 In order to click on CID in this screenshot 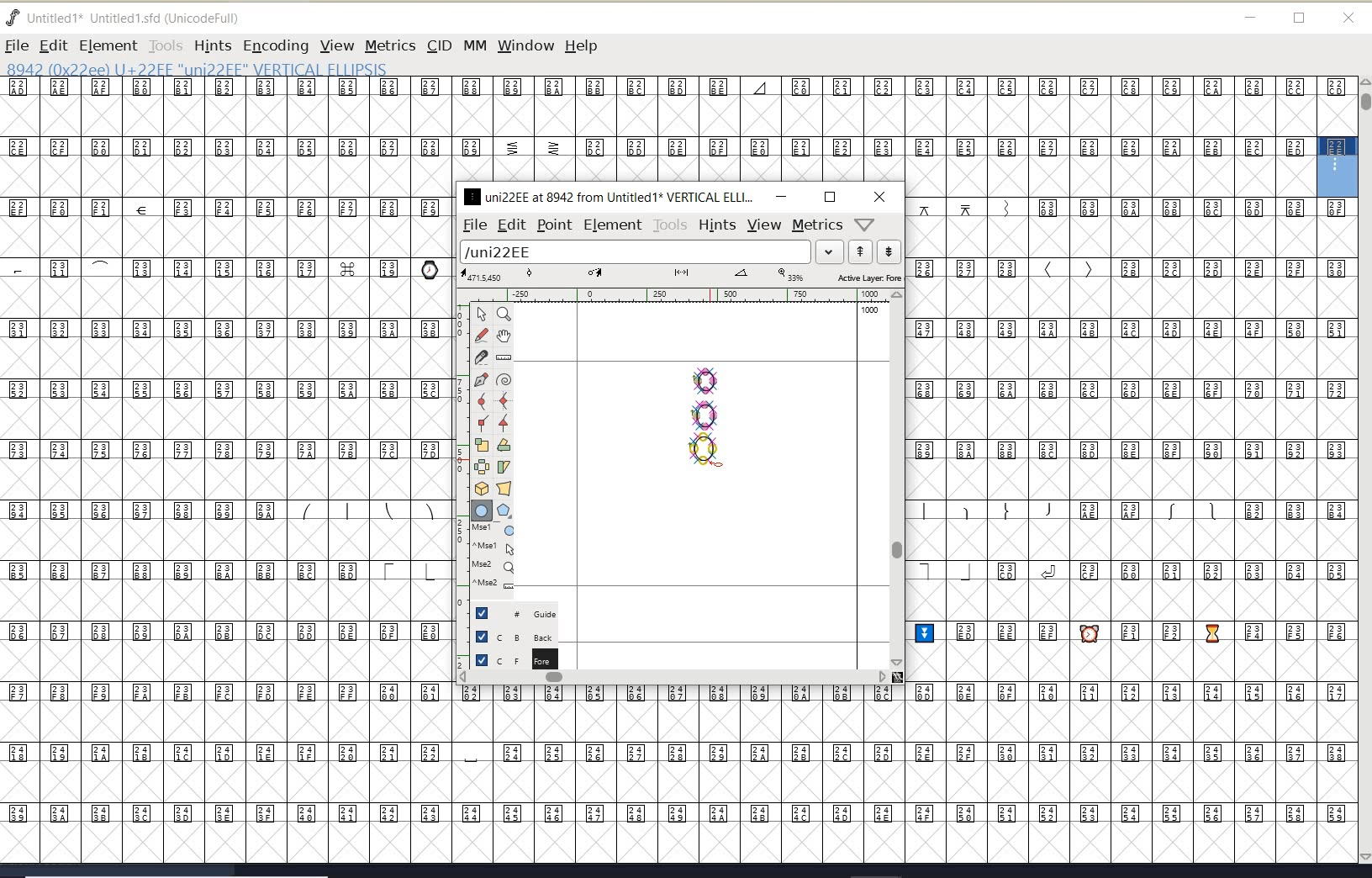, I will do `click(438, 45)`.